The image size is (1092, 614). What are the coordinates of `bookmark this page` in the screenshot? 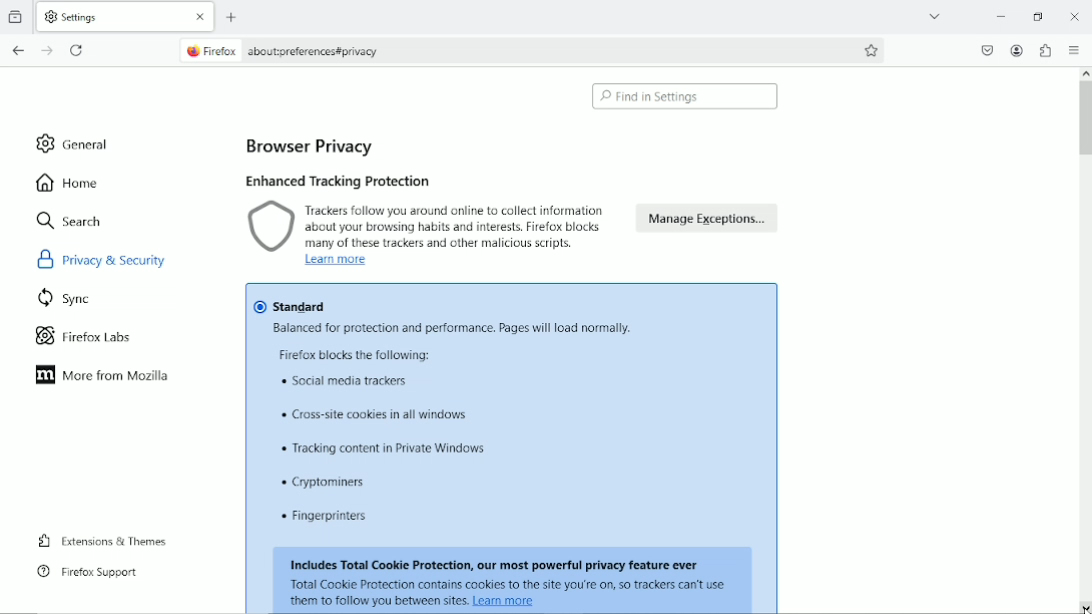 It's located at (870, 50).